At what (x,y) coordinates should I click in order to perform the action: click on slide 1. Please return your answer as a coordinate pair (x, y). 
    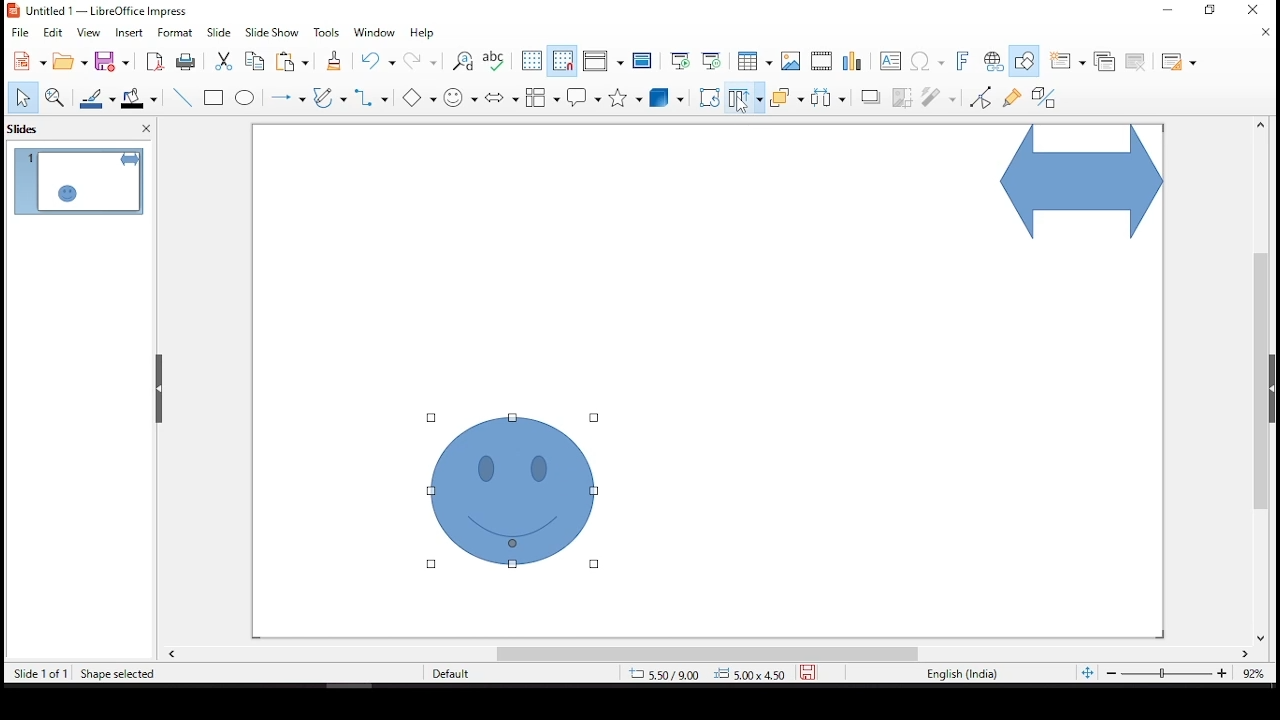
    Looking at the image, I should click on (78, 181).